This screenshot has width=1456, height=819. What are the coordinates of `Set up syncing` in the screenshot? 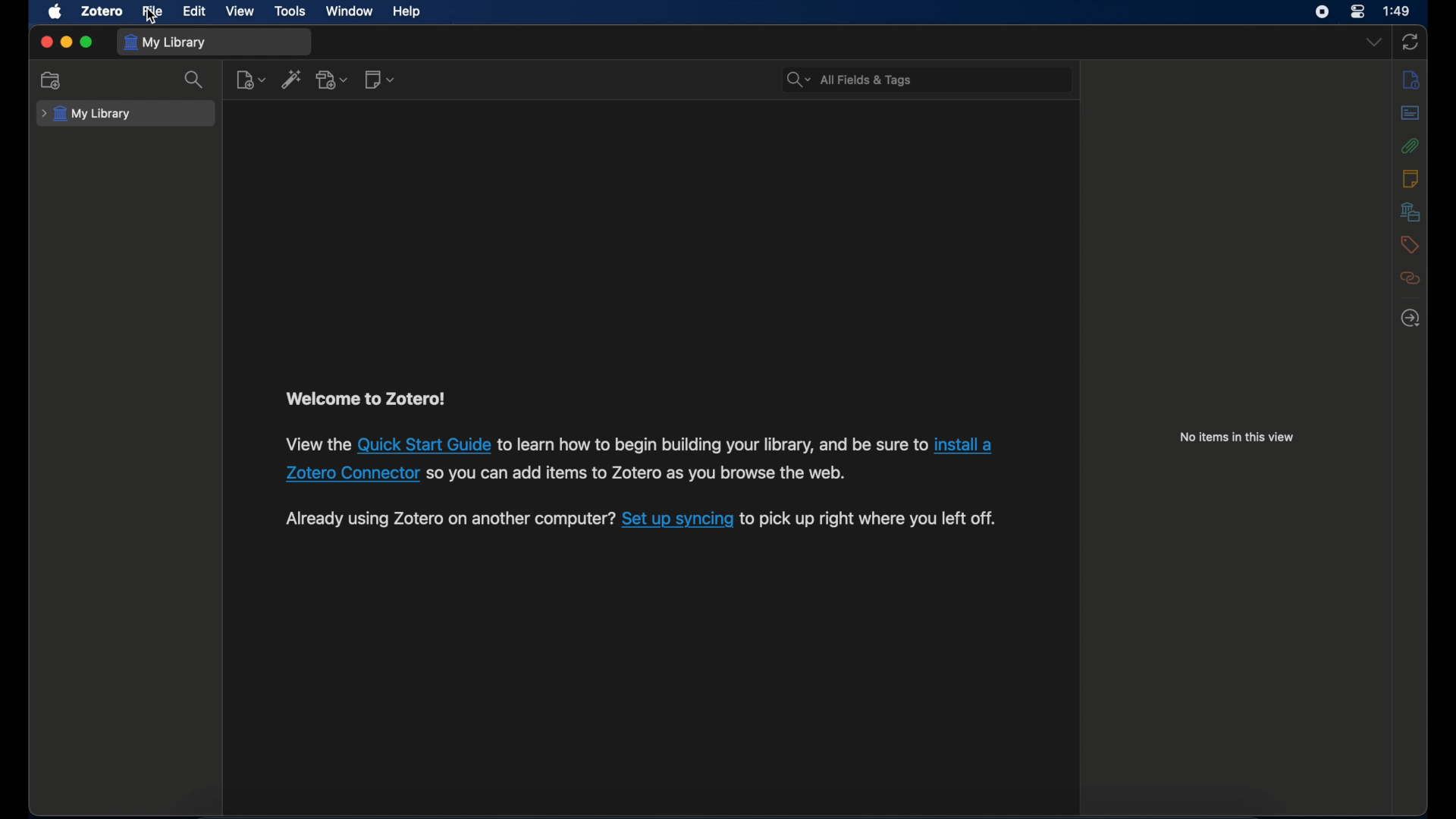 It's located at (678, 519).